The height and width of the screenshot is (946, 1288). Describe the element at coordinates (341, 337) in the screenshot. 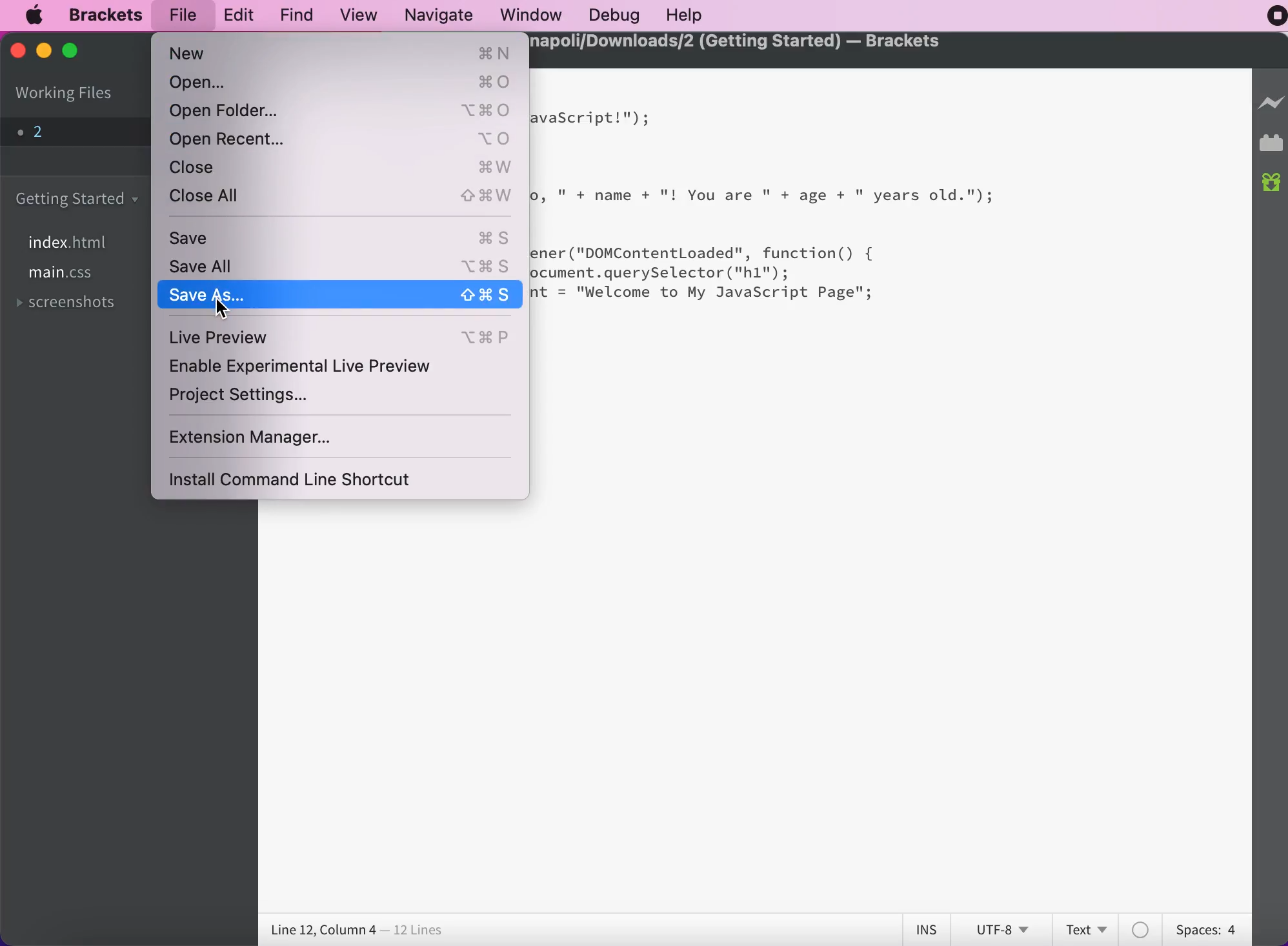

I see `live preview` at that location.